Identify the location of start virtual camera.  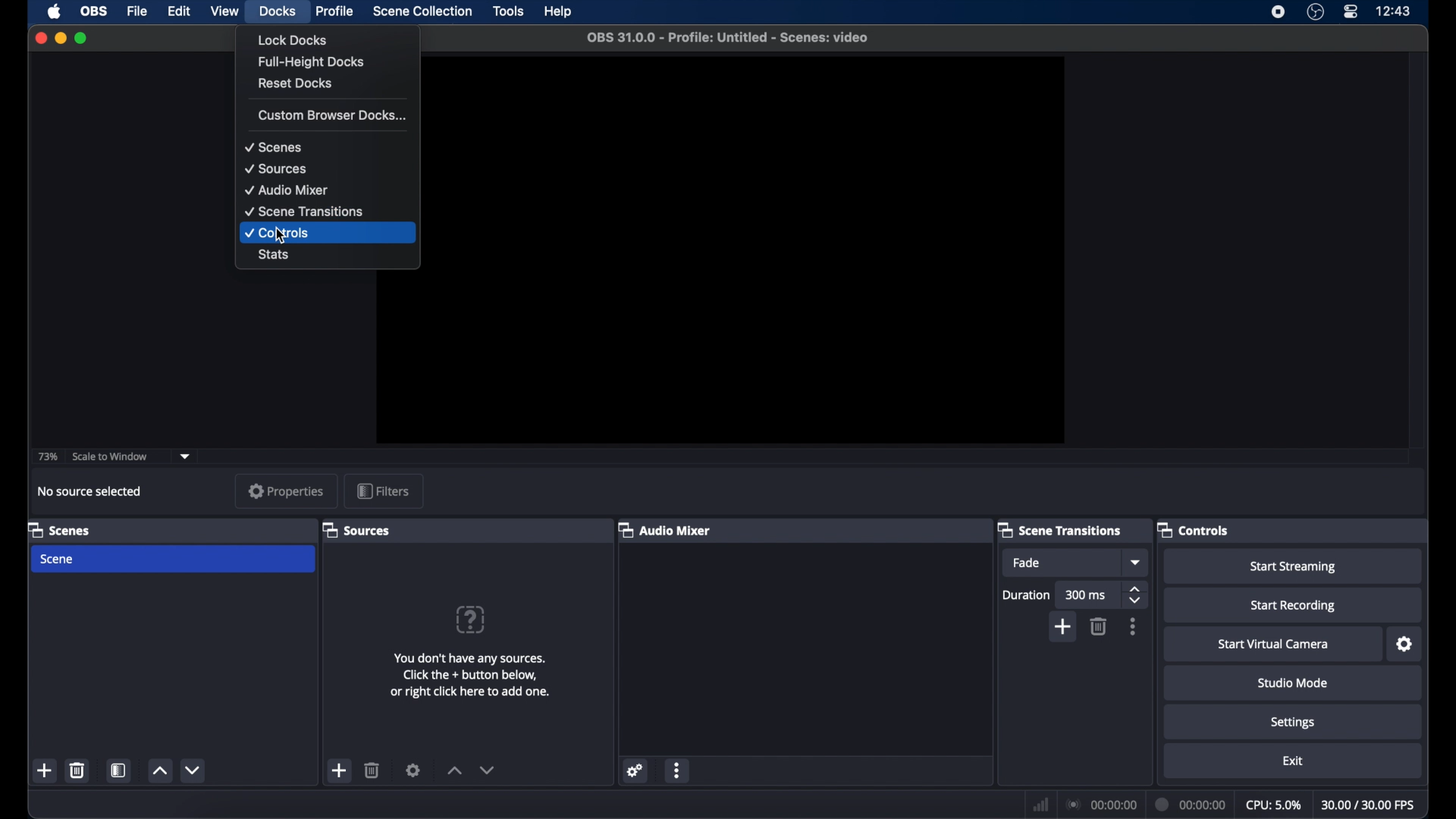
(1277, 645).